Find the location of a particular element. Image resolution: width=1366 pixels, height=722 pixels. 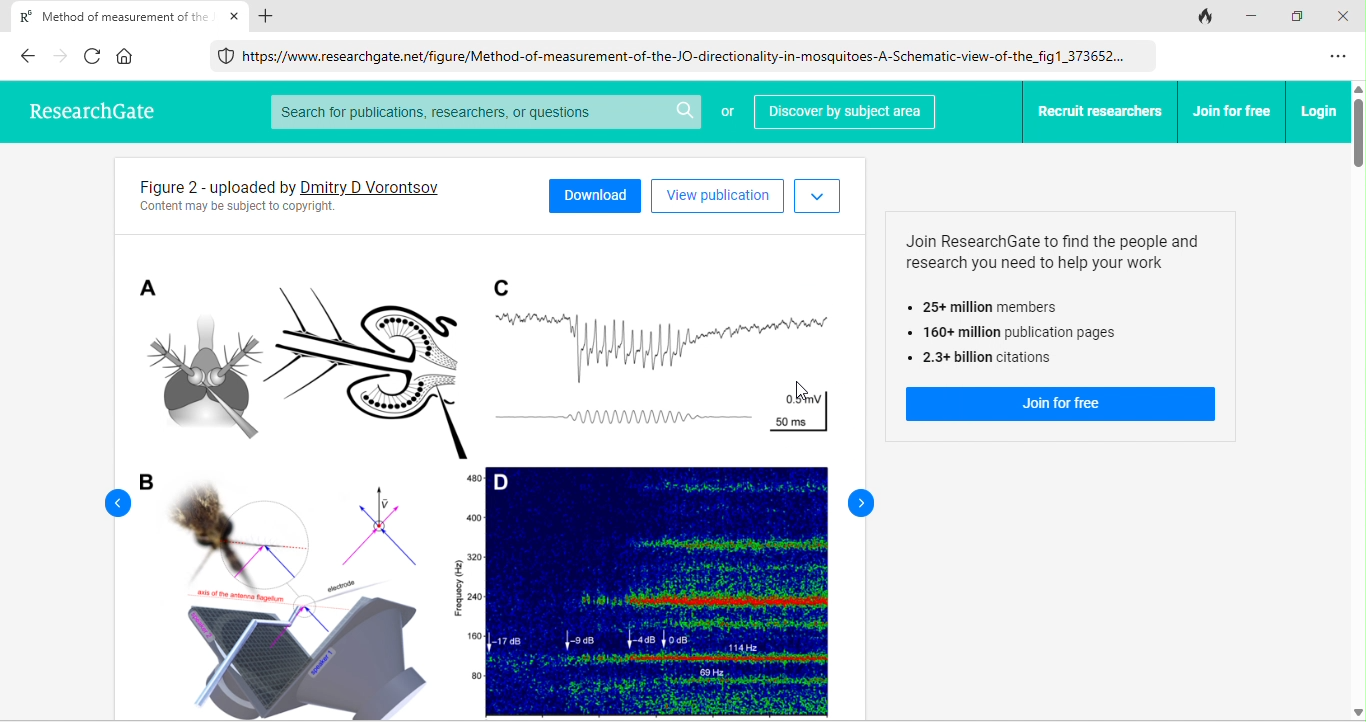

add tab is located at coordinates (267, 16).